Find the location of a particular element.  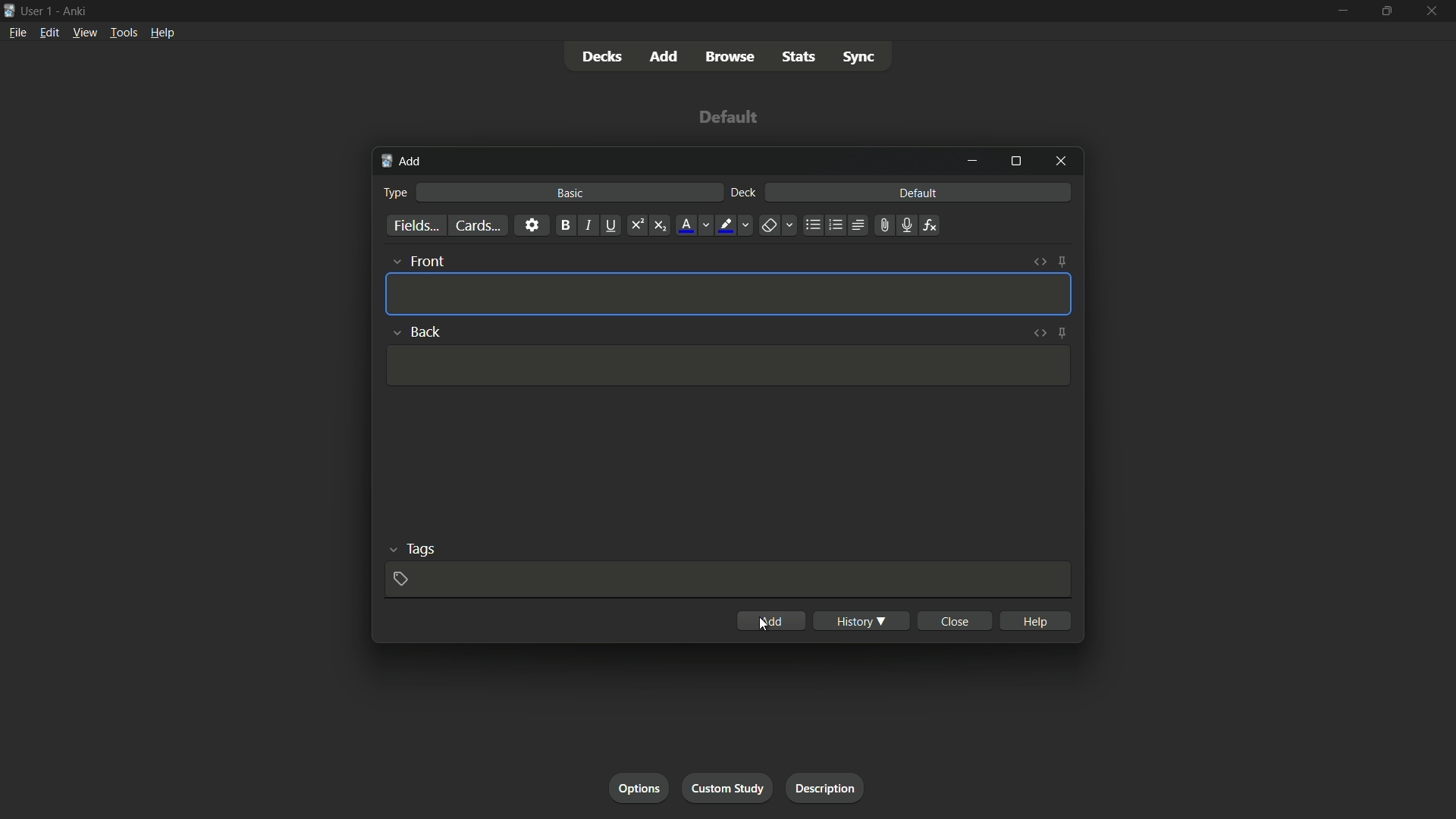

maximize is located at coordinates (1385, 10).